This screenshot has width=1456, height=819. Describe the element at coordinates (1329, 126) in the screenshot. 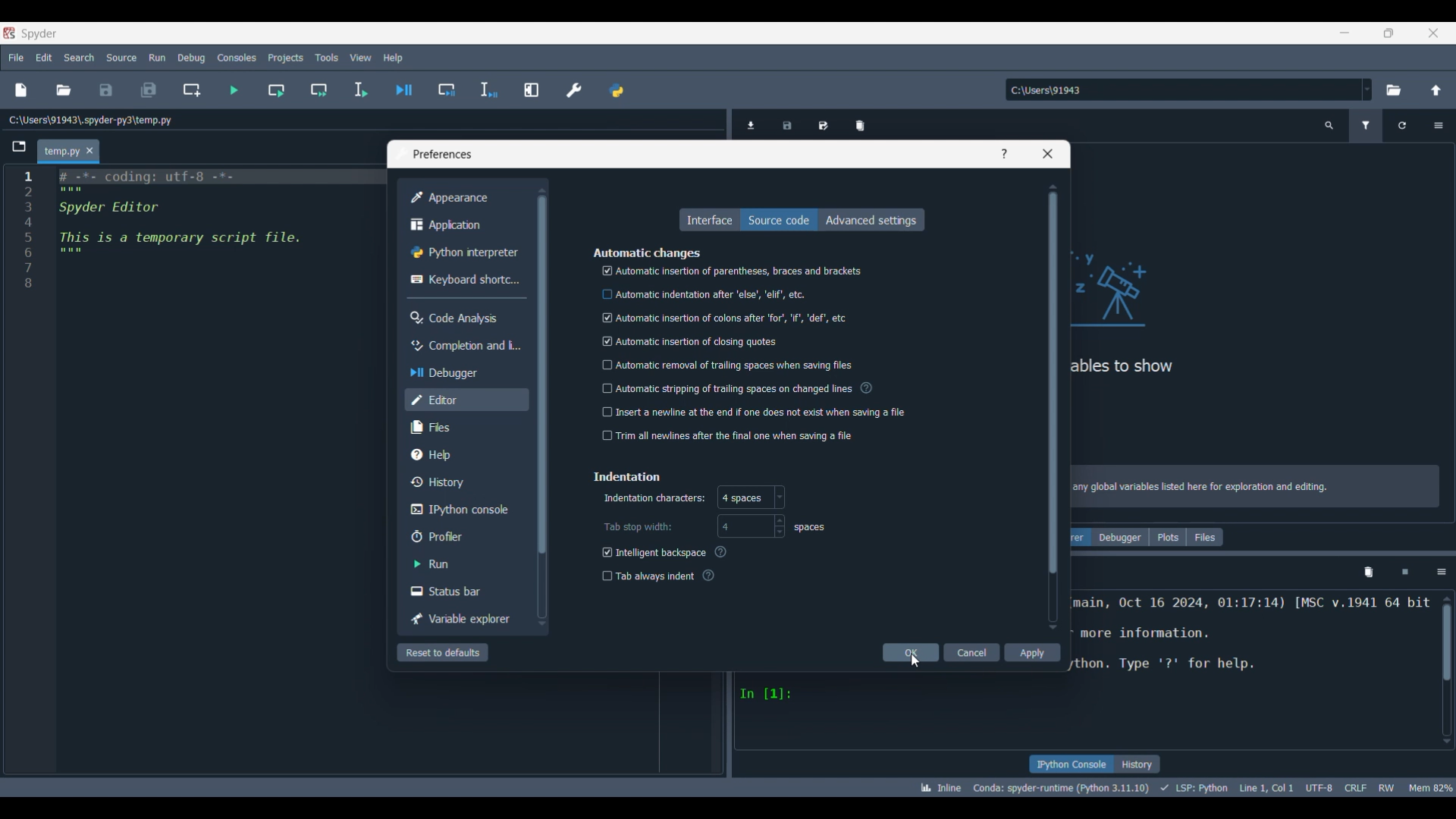

I see `Search variable names and types` at that location.